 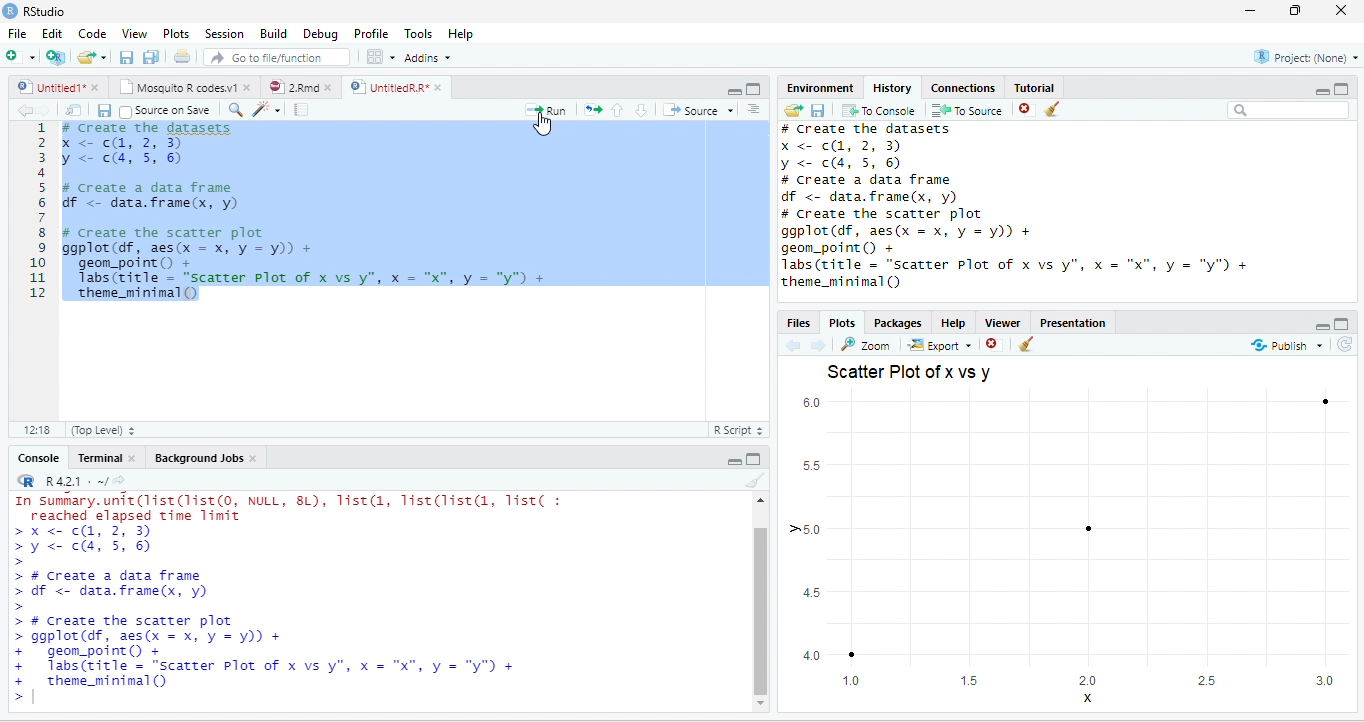 I want to click on Save current document, so click(x=104, y=111).